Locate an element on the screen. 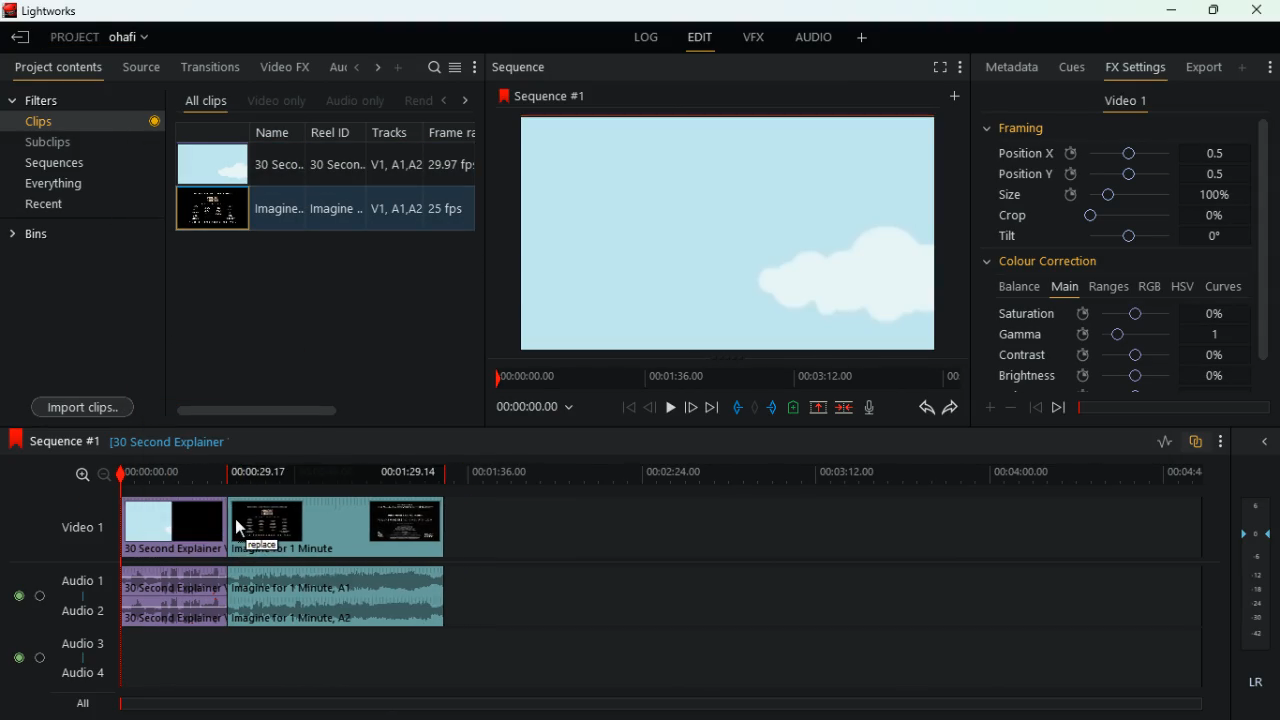  more is located at coordinates (866, 39).